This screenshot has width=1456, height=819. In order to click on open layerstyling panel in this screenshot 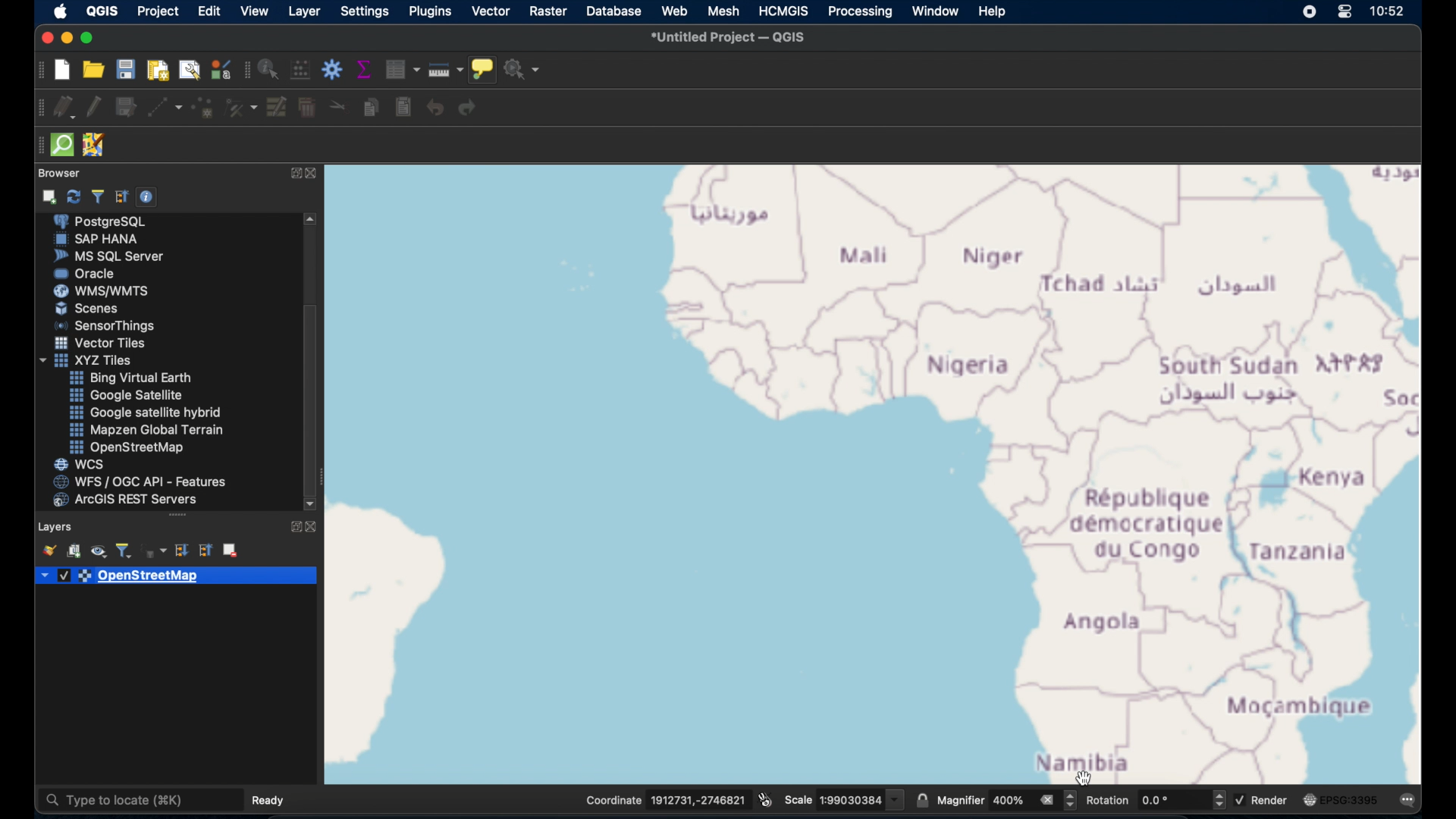, I will do `click(49, 551)`.